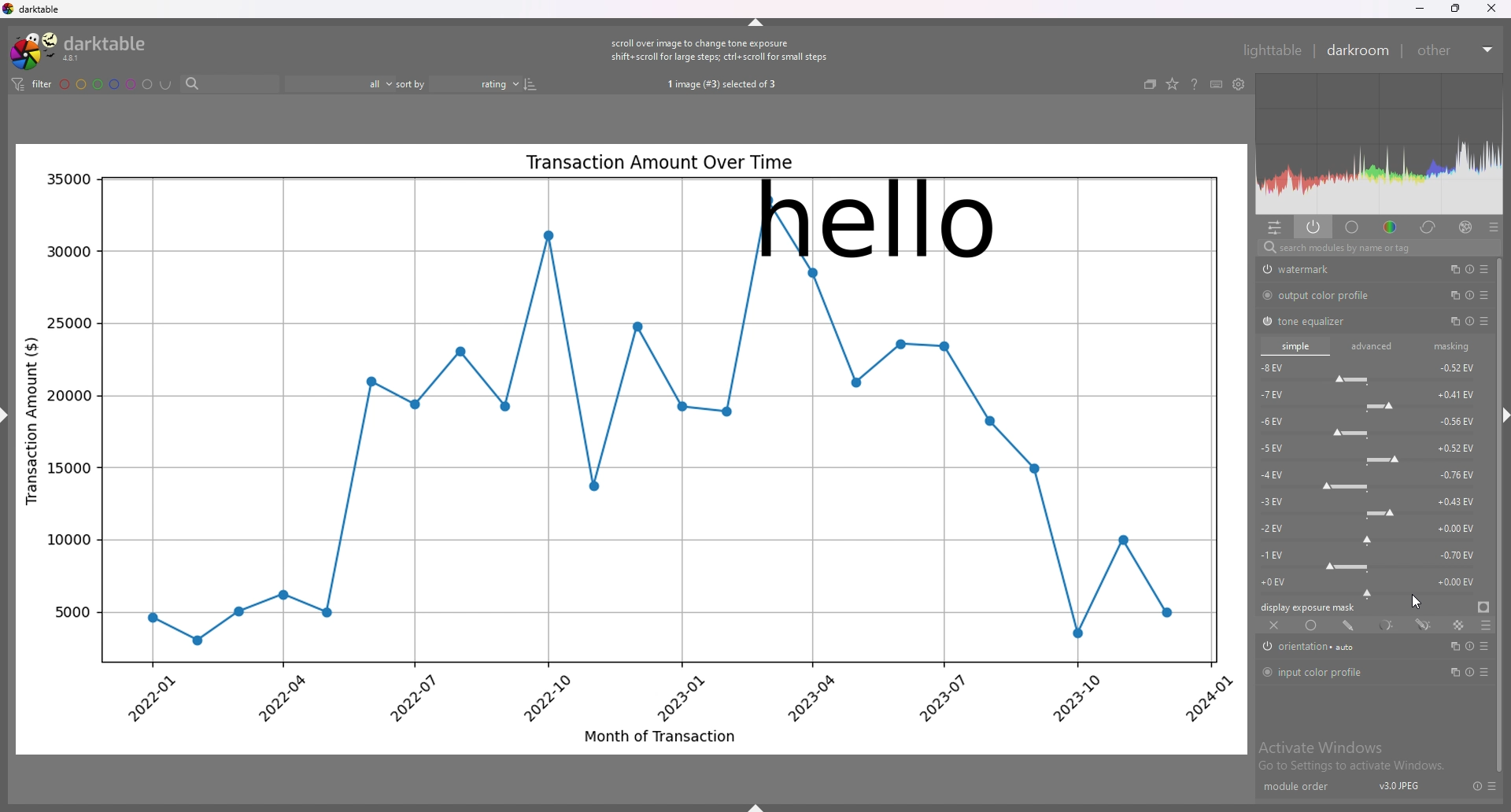 Image resolution: width=1511 pixels, height=812 pixels. What do you see at coordinates (231, 84) in the screenshot?
I see `search bar` at bounding box center [231, 84].